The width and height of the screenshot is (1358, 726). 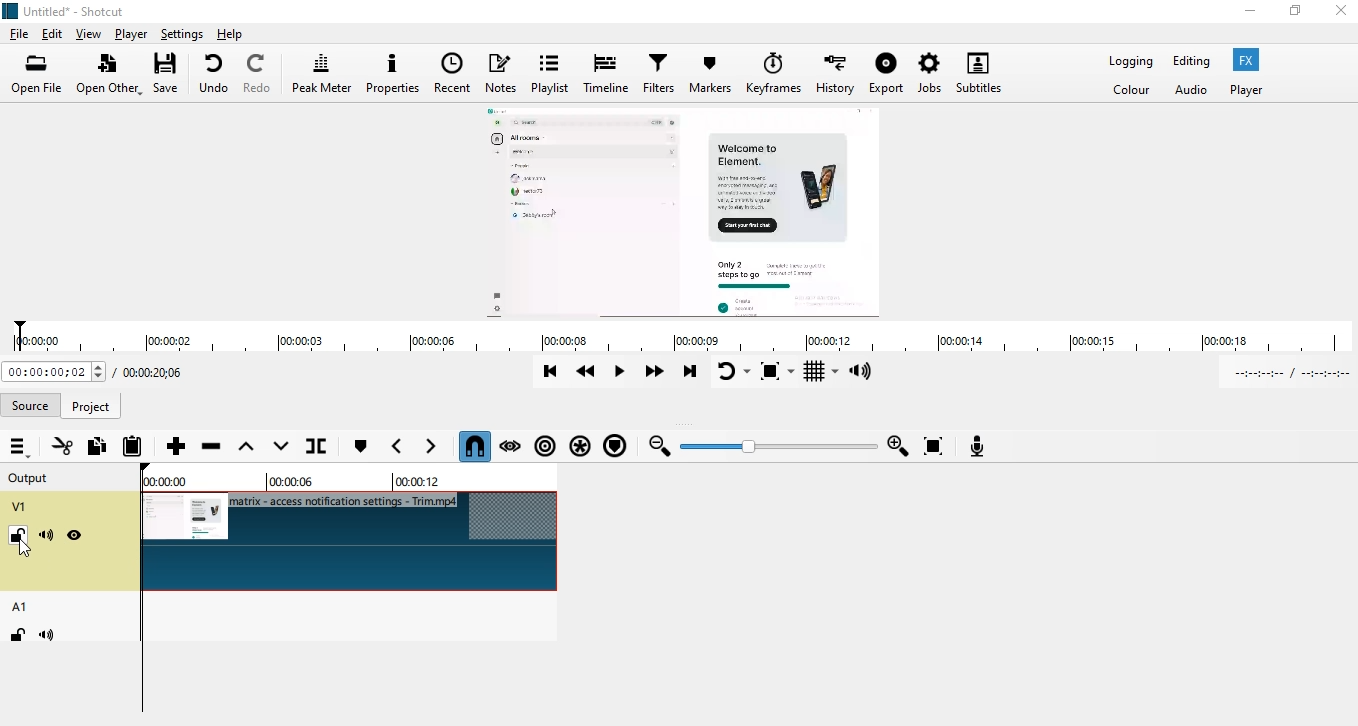 I want to click on peak meter, so click(x=321, y=71).